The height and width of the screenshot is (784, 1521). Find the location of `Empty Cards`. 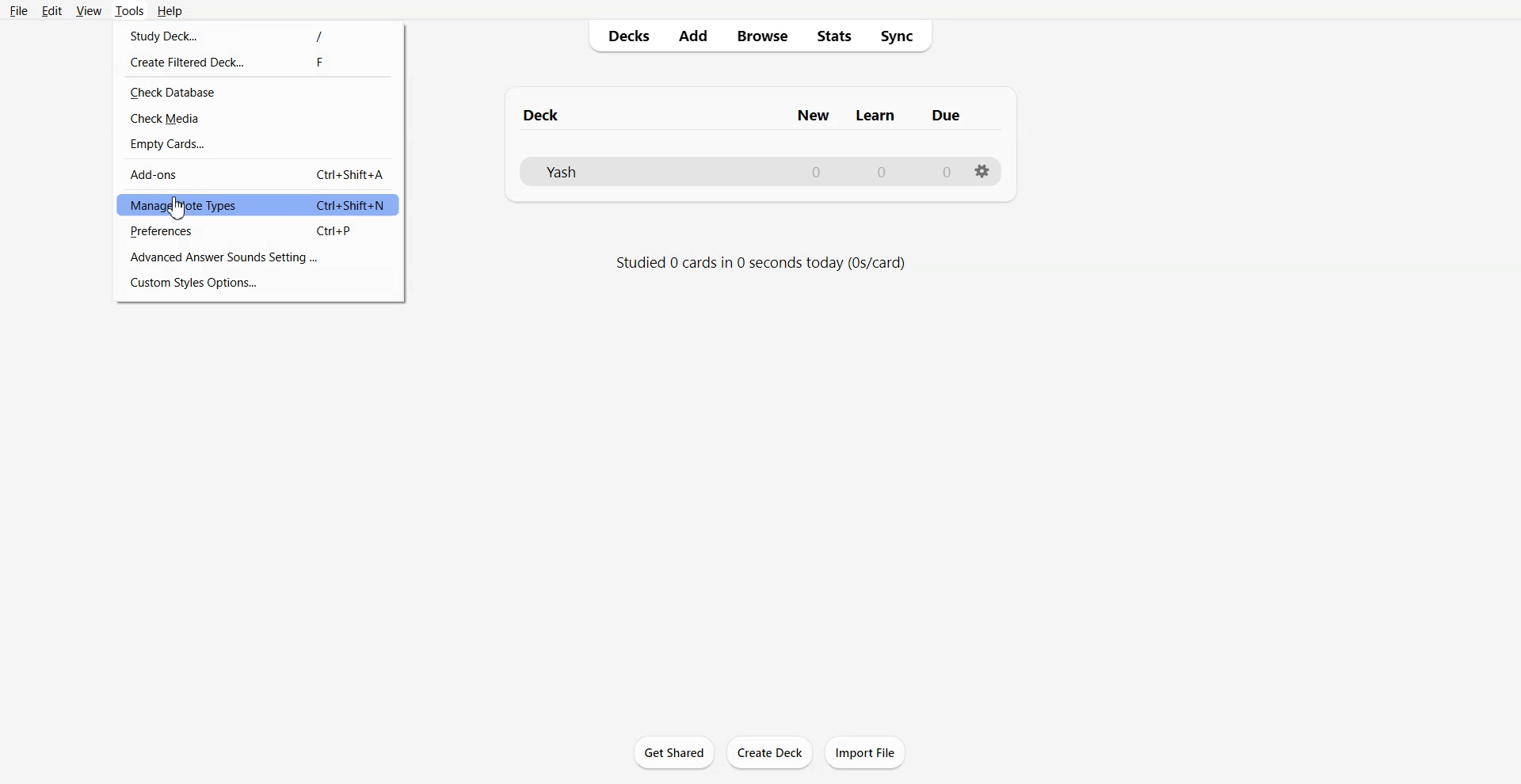

Empty Cards is located at coordinates (255, 144).